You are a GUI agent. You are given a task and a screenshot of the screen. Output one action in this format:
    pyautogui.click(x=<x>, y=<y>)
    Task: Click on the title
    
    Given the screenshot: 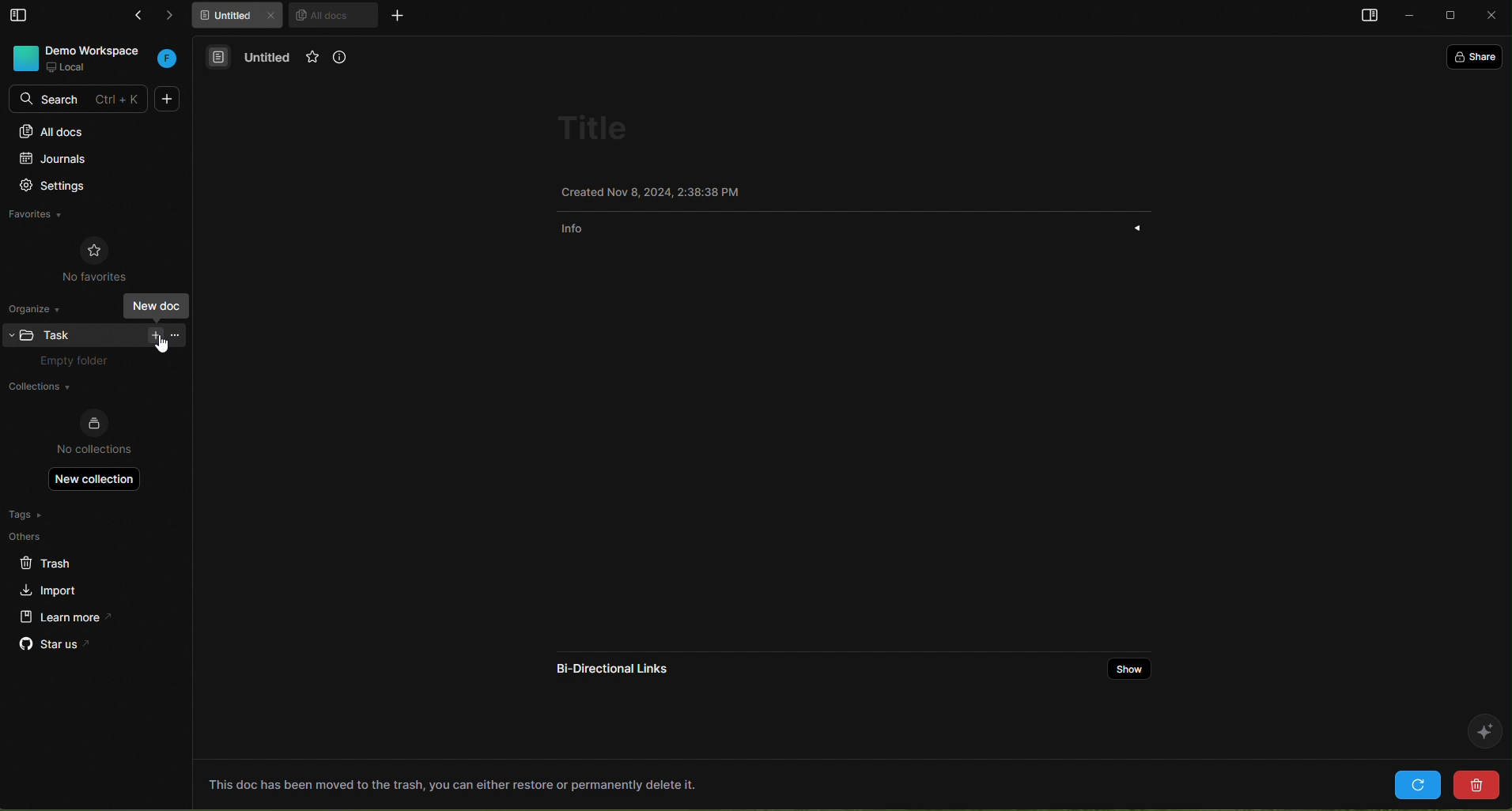 What is the action you would take?
    pyautogui.click(x=598, y=129)
    